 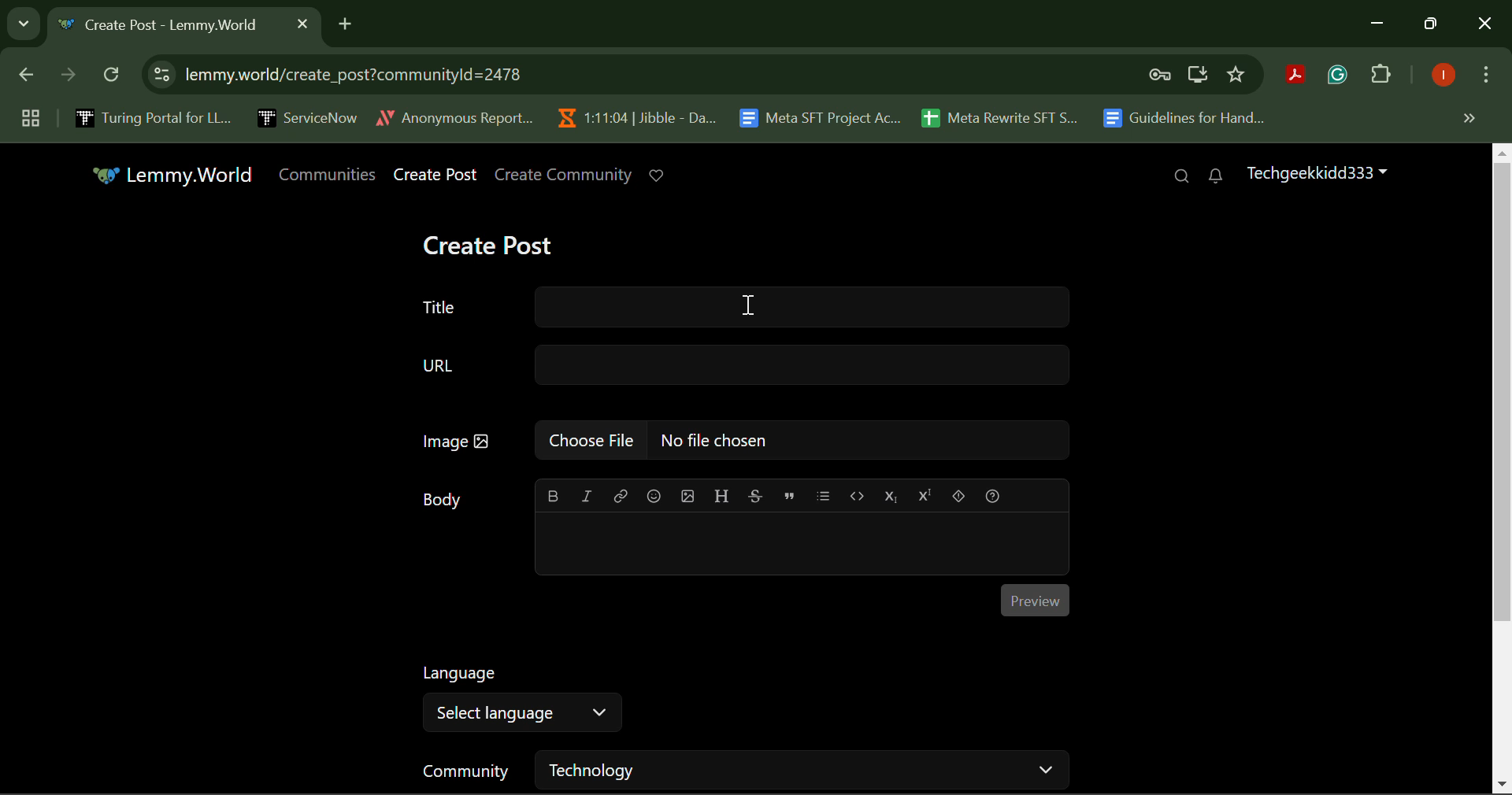 What do you see at coordinates (345, 21) in the screenshot?
I see `Add Tab` at bounding box center [345, 21].